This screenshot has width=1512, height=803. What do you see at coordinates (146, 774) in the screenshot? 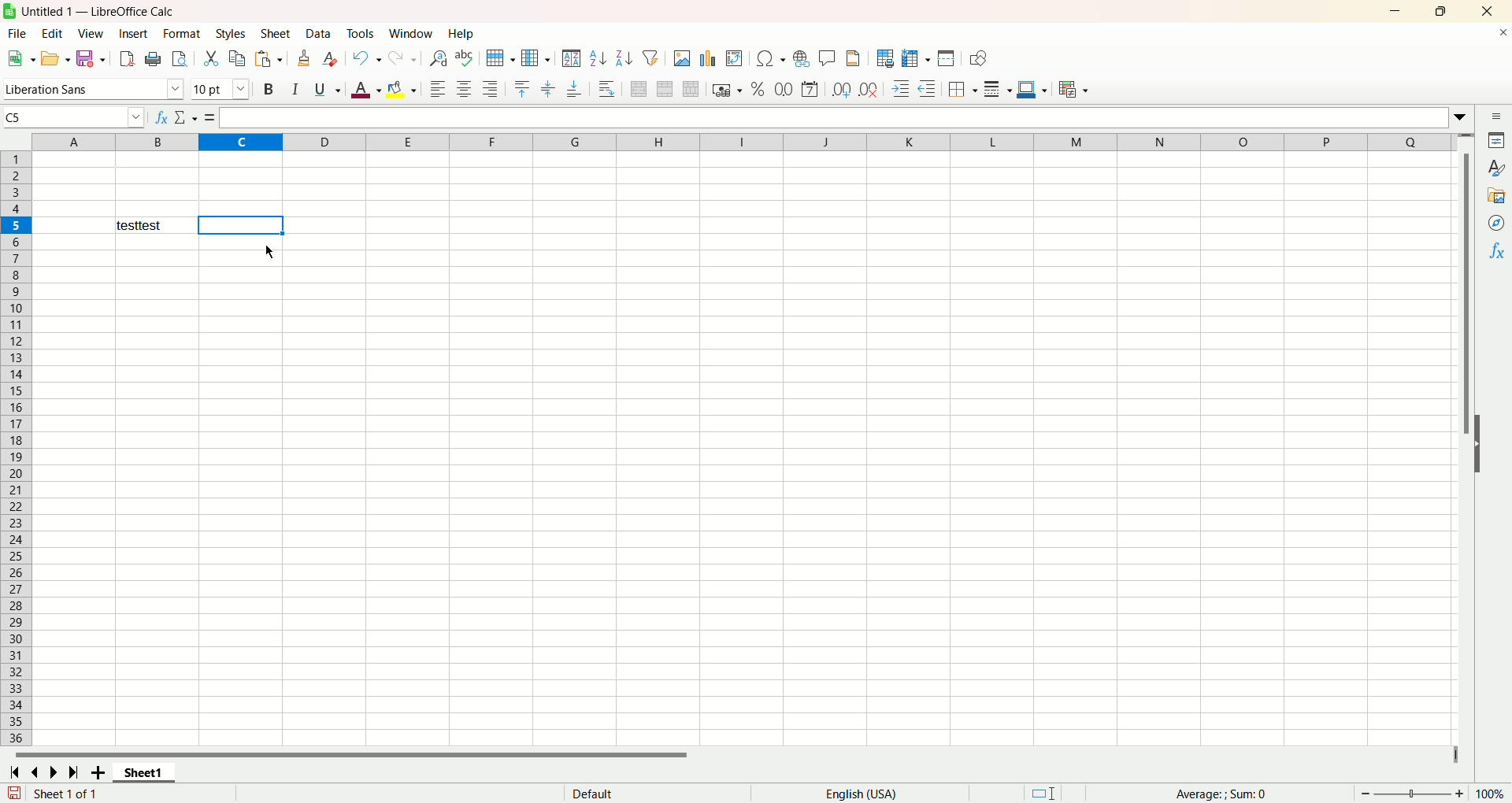
I see `sheet1` at bounding box center [146, 774].